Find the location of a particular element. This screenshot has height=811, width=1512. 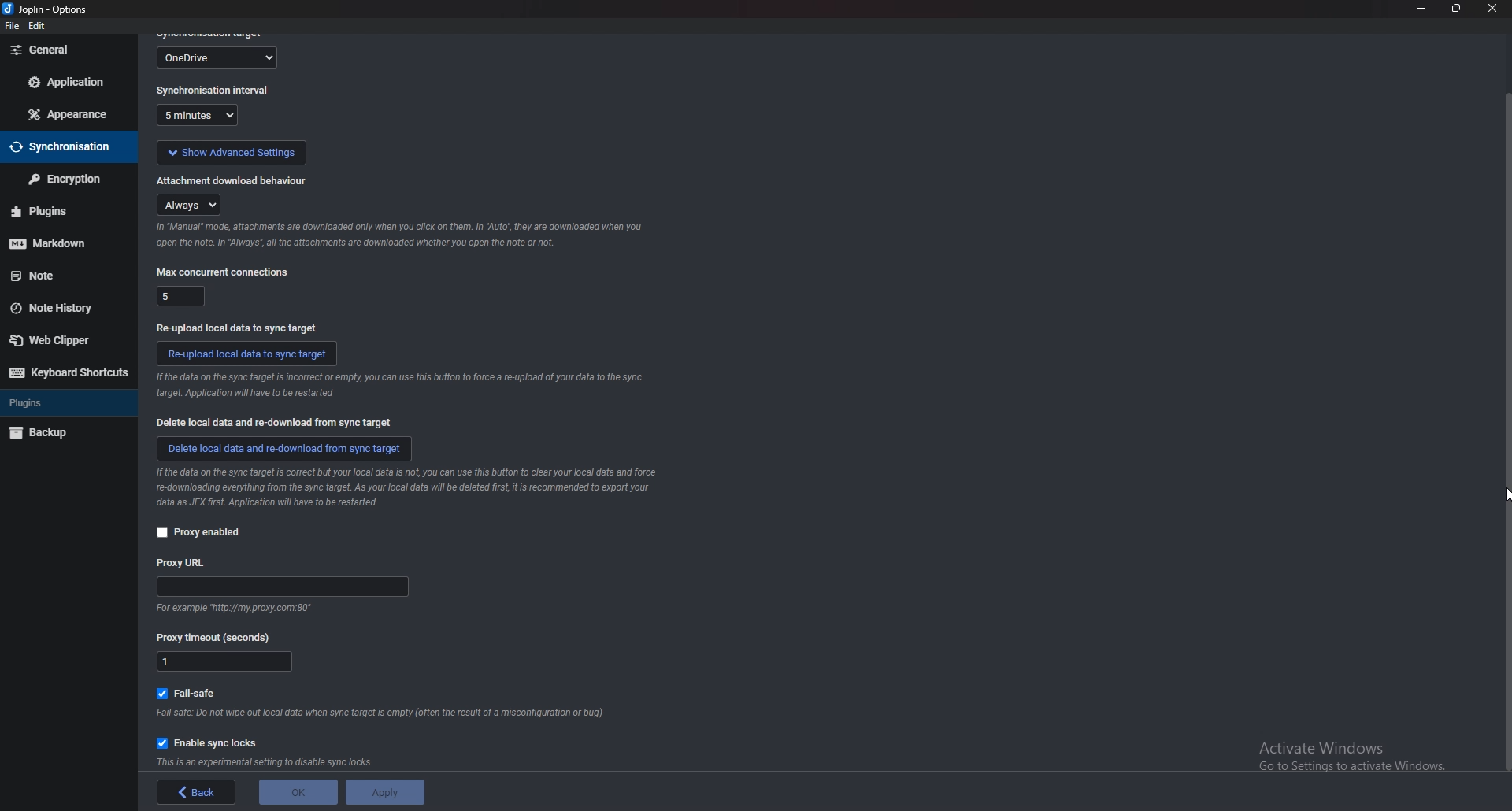

info is located at coordinates (383, 713).